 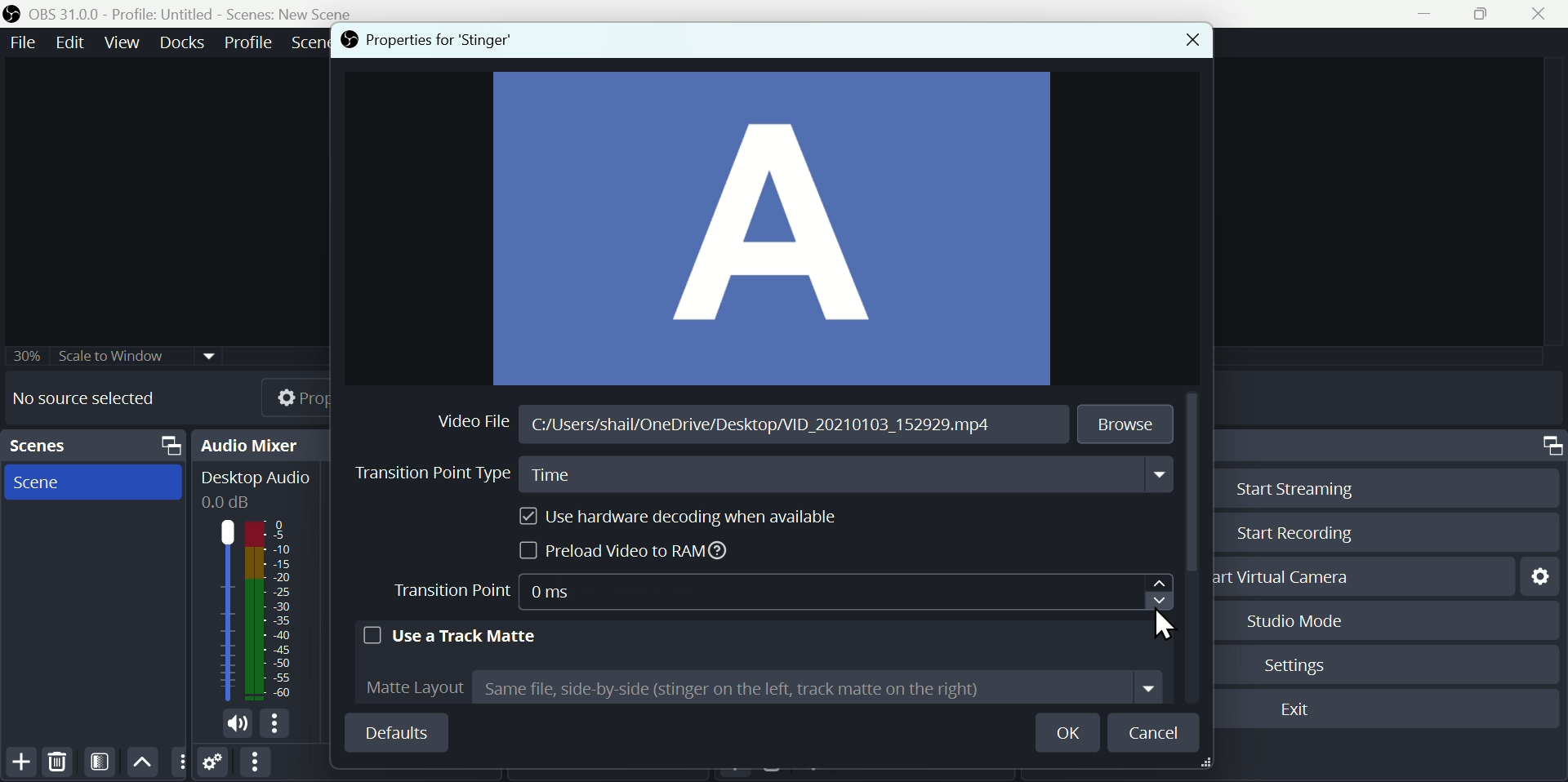 I want to click on Time, so click(x=850, y=478).